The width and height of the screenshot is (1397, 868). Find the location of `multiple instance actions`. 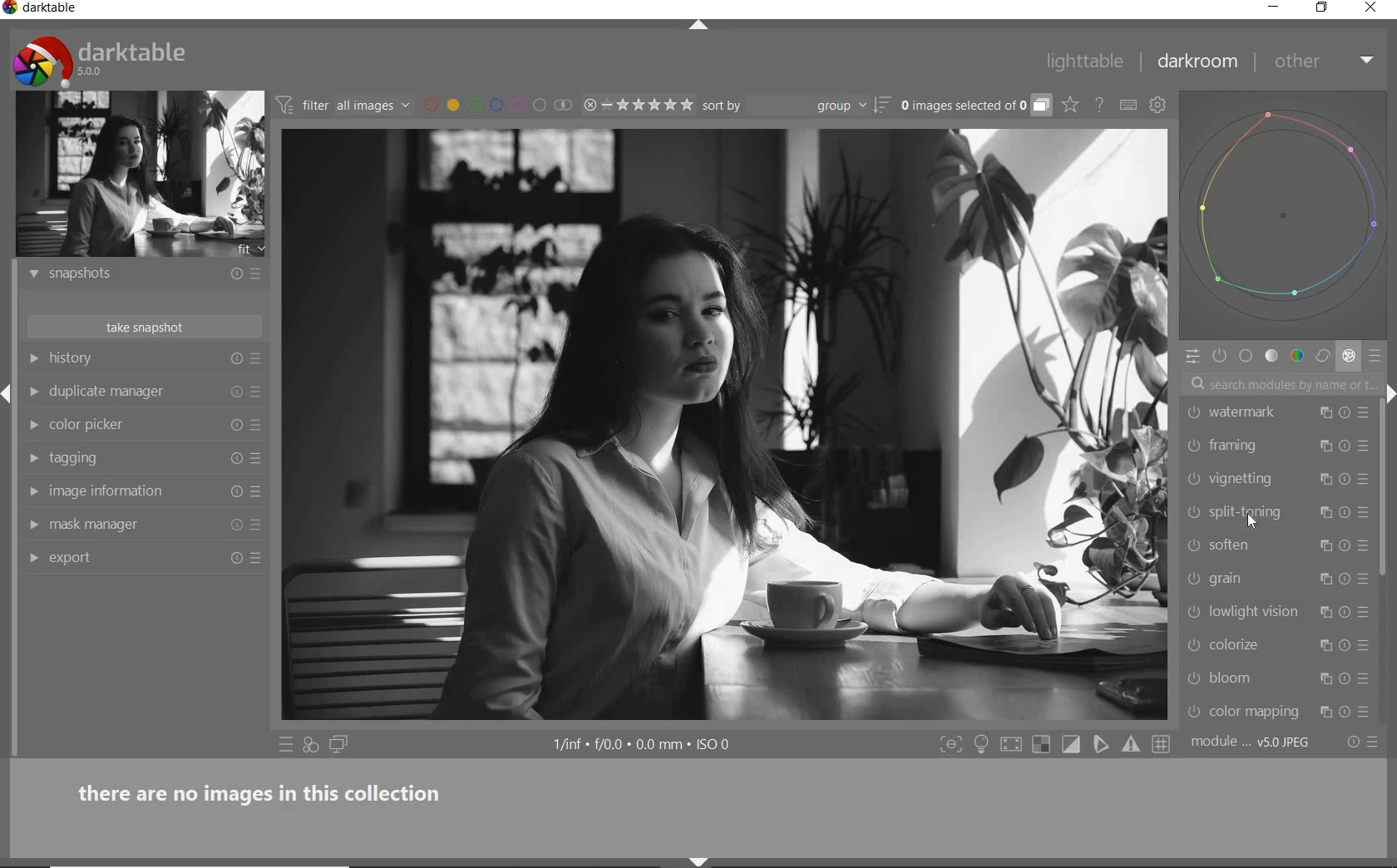

multiple instance actions is located at coordinates (1324, 413).